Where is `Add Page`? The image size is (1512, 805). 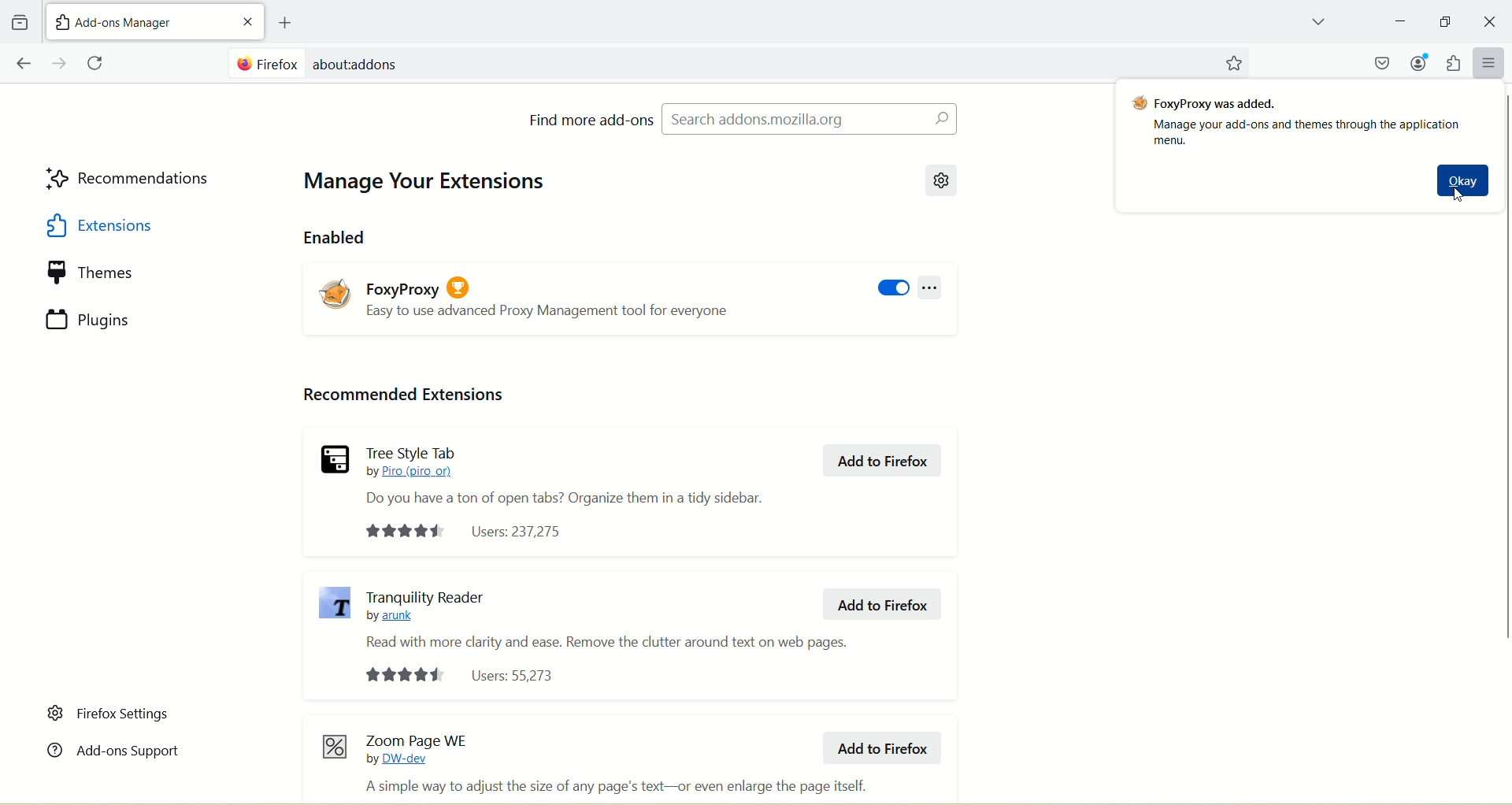 Add Page is located at coordinates (283, 23).